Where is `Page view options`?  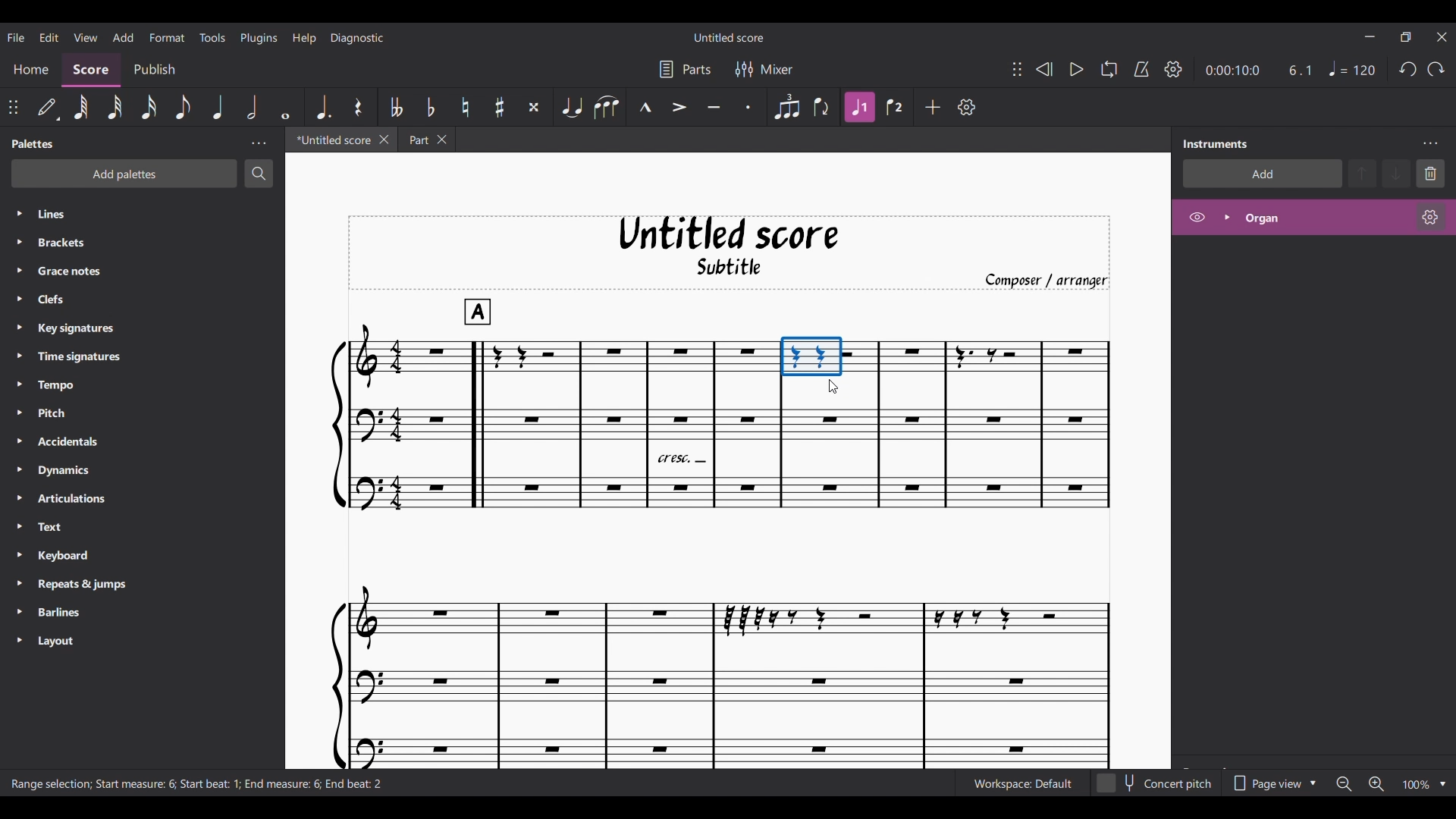 Page view options is located at coordinates (1272, 783).